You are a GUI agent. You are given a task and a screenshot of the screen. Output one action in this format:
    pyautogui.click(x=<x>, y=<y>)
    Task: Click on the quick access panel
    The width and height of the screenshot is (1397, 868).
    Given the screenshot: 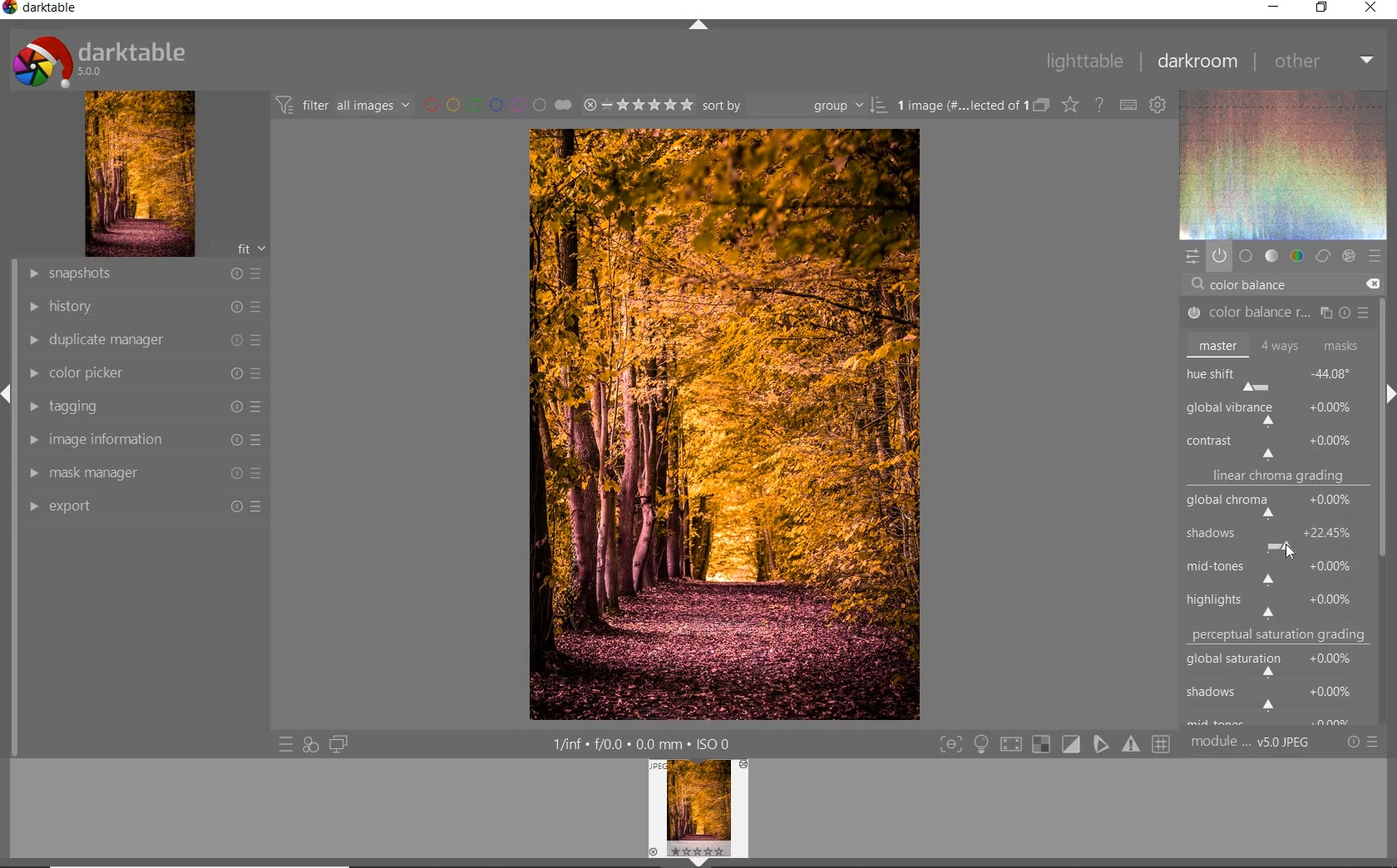 What is the action you would take?
    pyautogui.click(x=1190, y=256)
    